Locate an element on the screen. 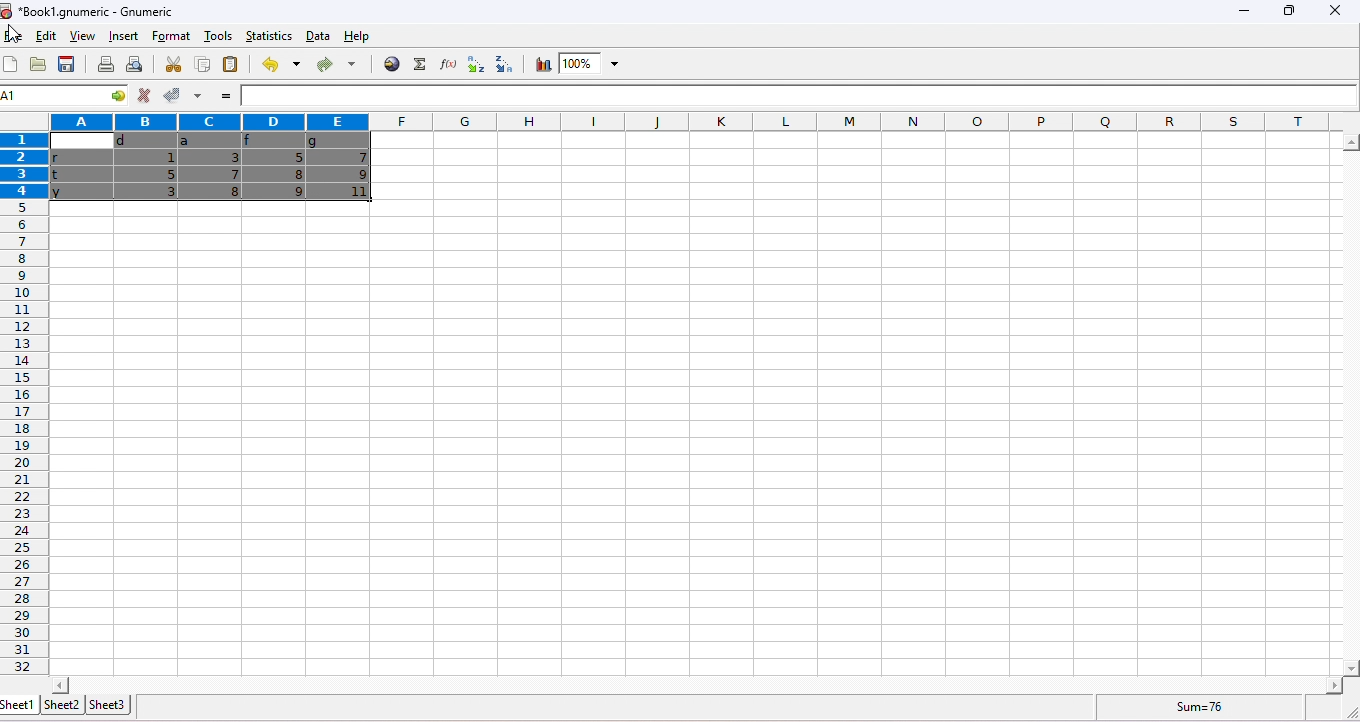  tools is located at coordinates (217, 37).